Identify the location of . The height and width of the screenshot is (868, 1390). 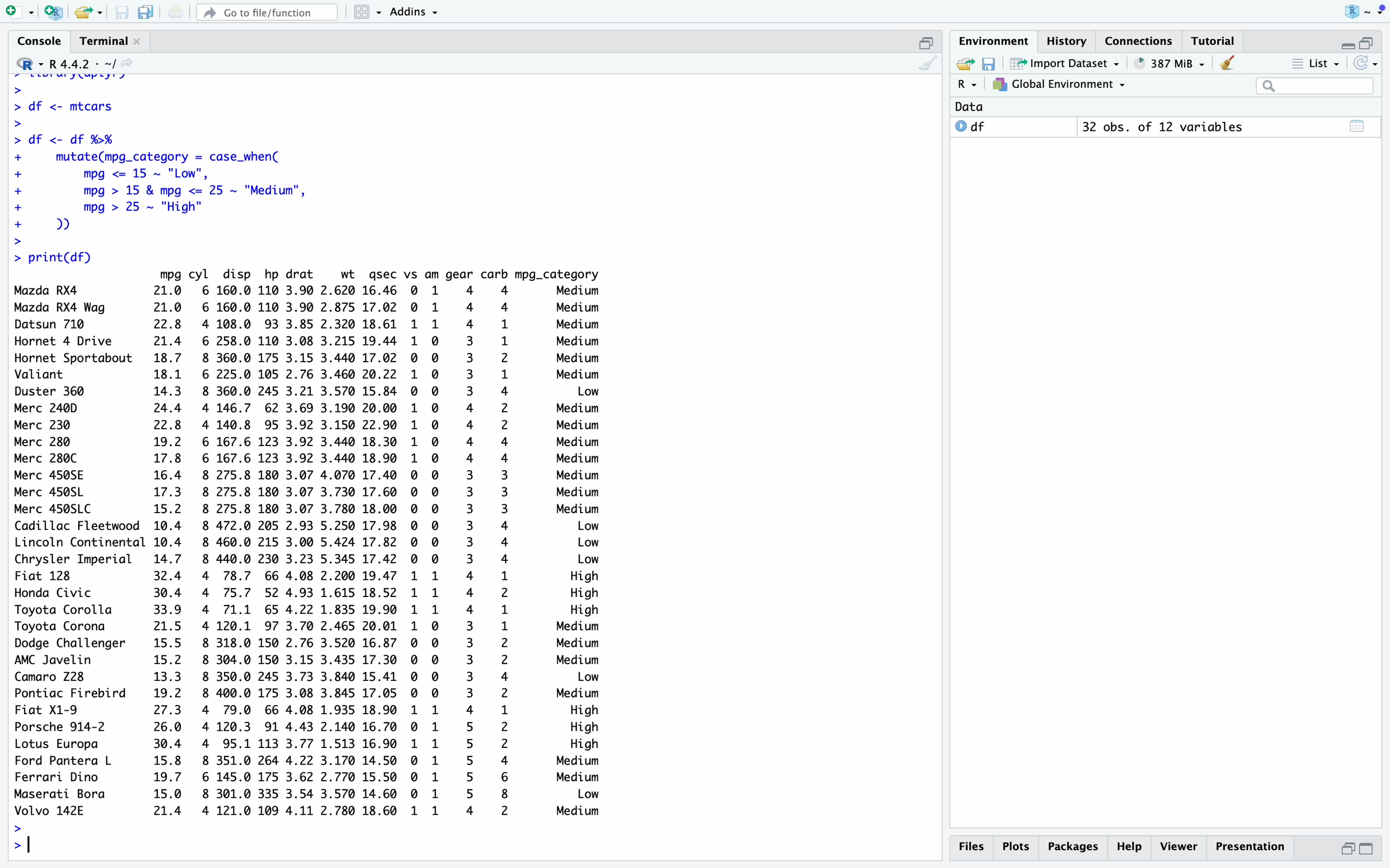
(1074, 848).